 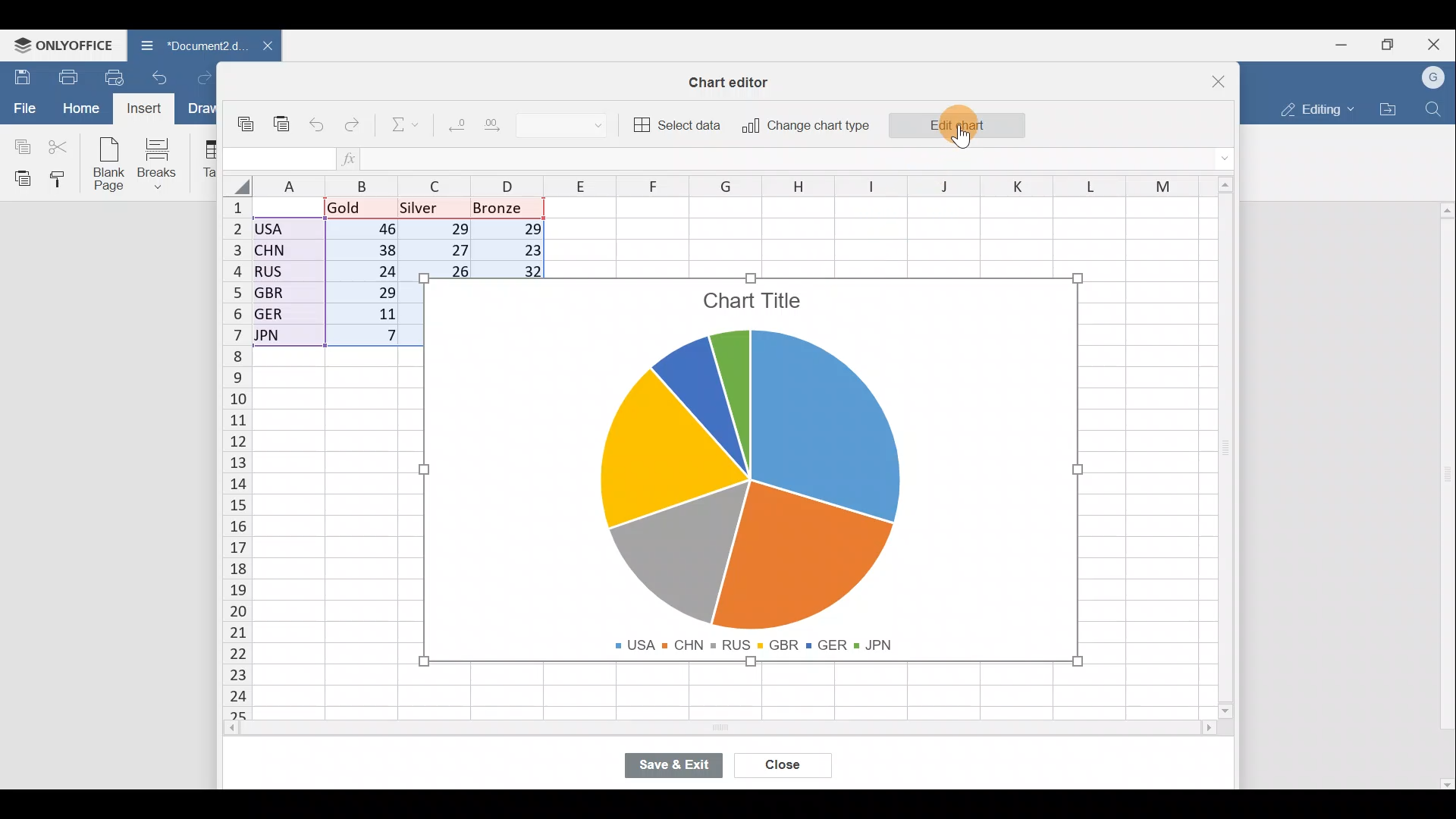 I want to click on Cell name, so click(x=277, y=159).